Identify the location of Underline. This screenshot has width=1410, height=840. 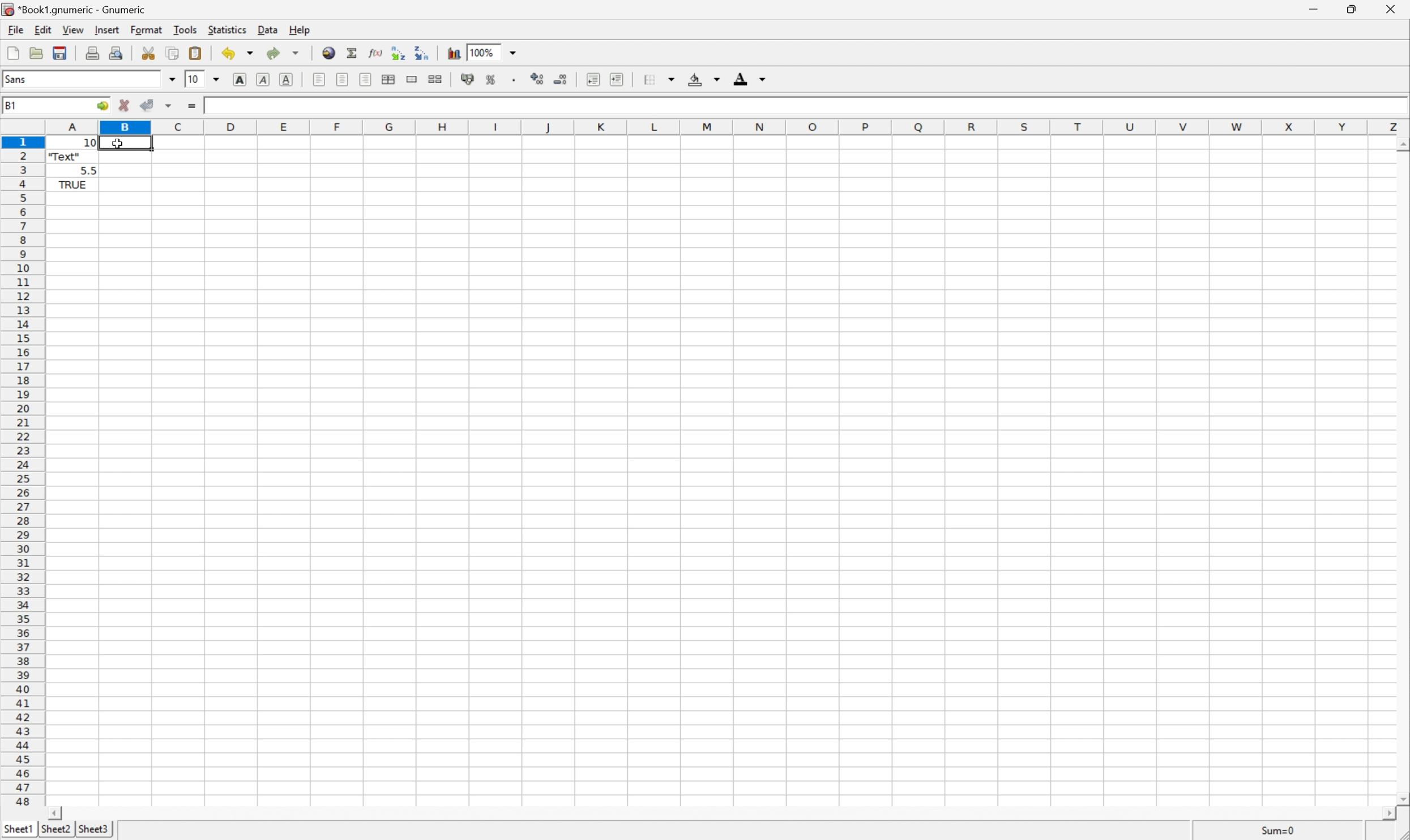
(287, 79).